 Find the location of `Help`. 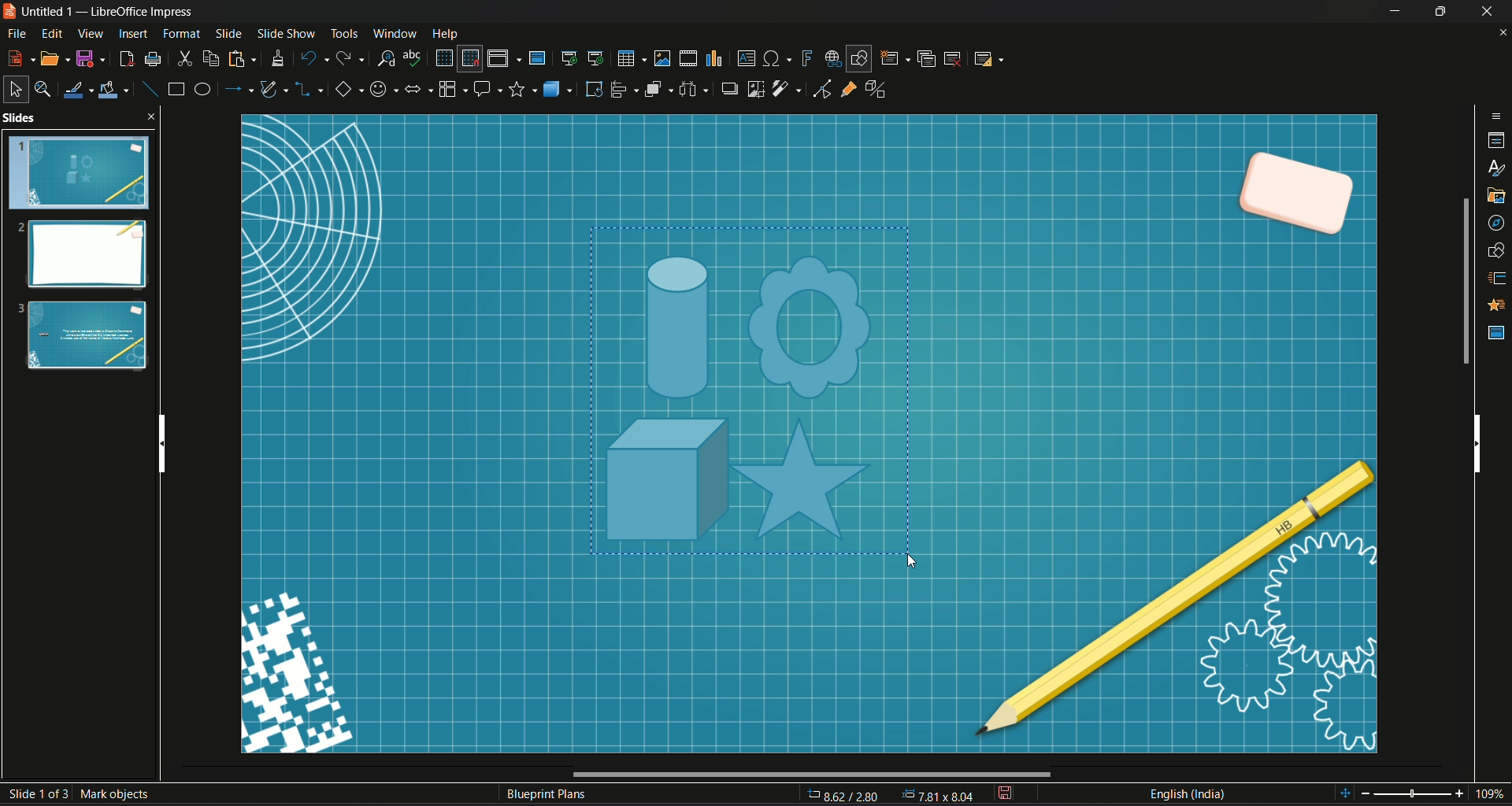

Help is located at coordinates (446, 34).